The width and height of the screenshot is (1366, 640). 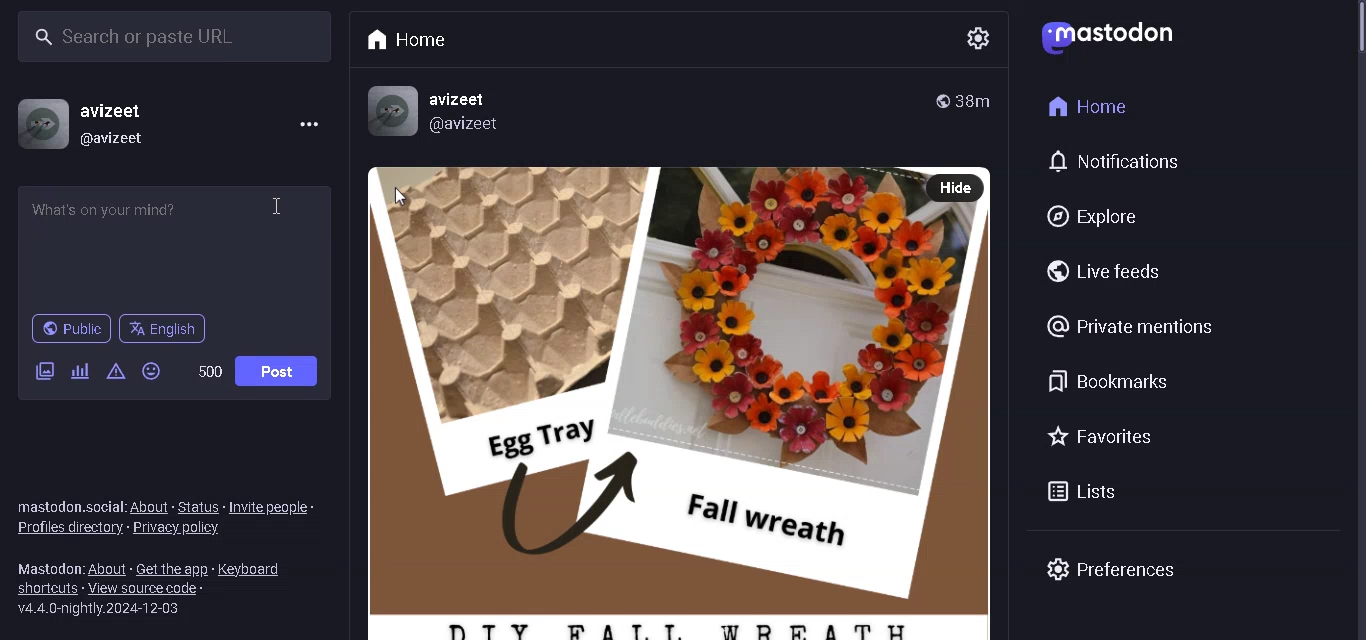 I want to click on home tab, so click(x=414, y=41).